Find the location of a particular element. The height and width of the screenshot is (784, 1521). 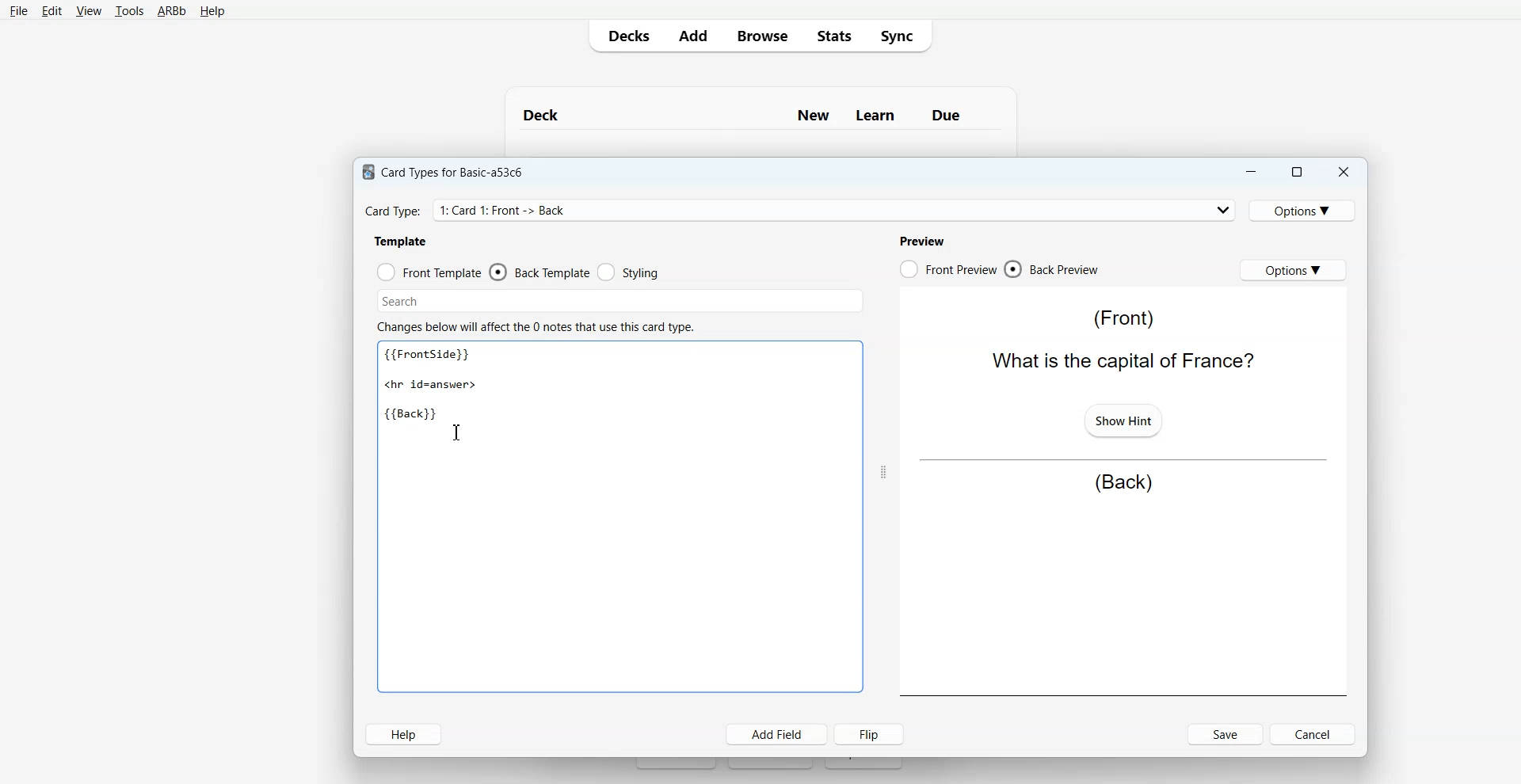

Search Bar is located at coordinates (620, 301).